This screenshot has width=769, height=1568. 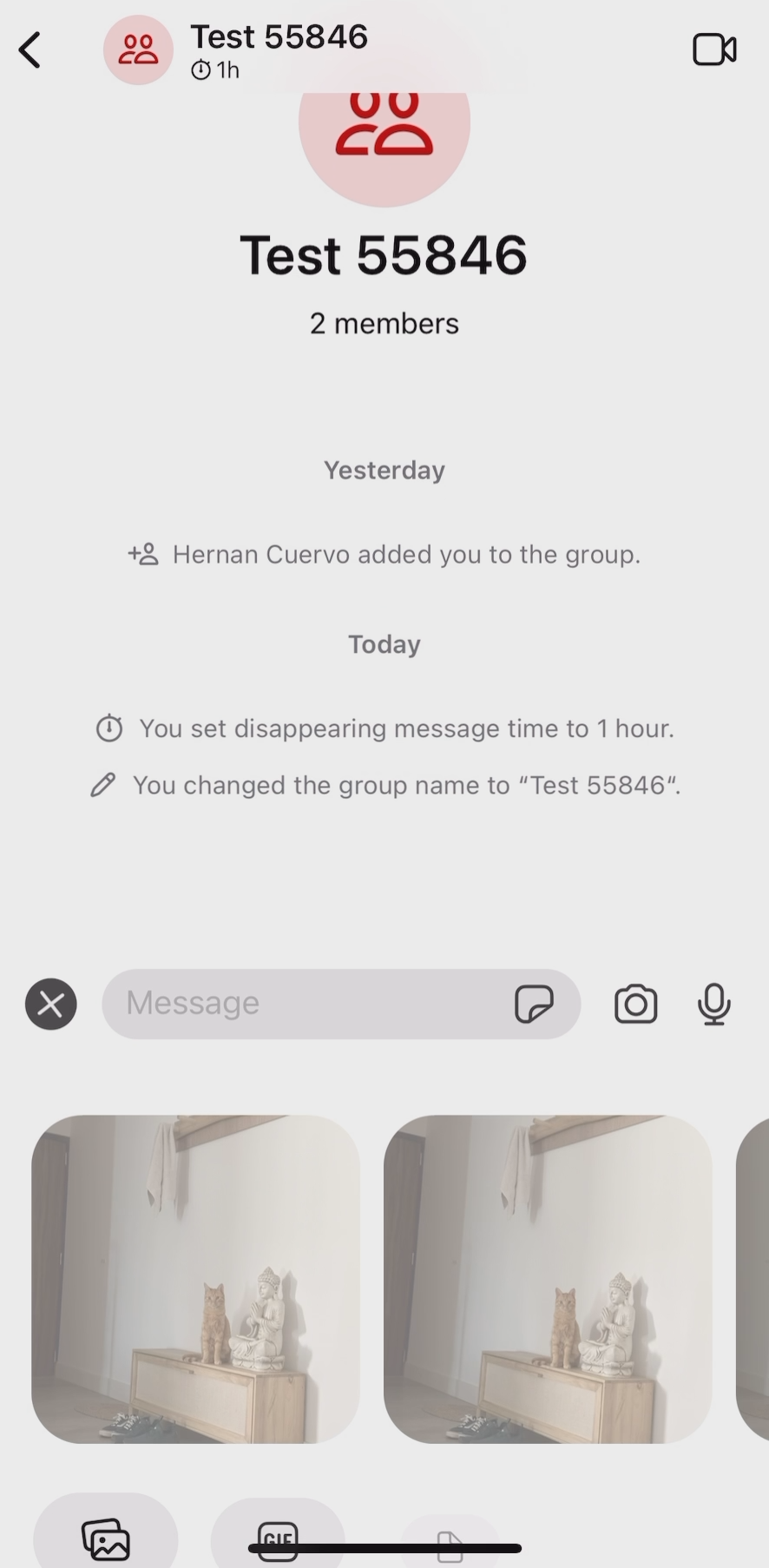 What do you see at coordinates (549, 1272) in the screenshot?
I see `image` at bounding box center [549, 1272].